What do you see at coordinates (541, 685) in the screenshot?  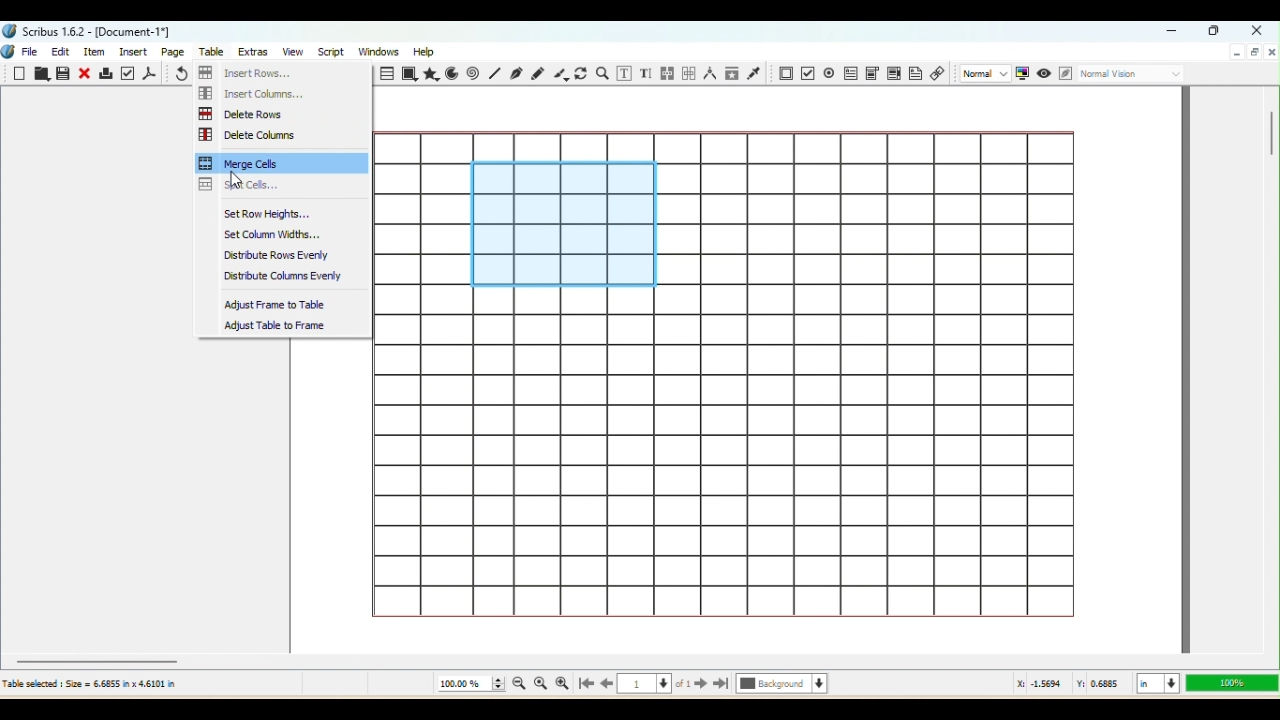 I see `Zoom to 100%` at bounding box center [541, 685].